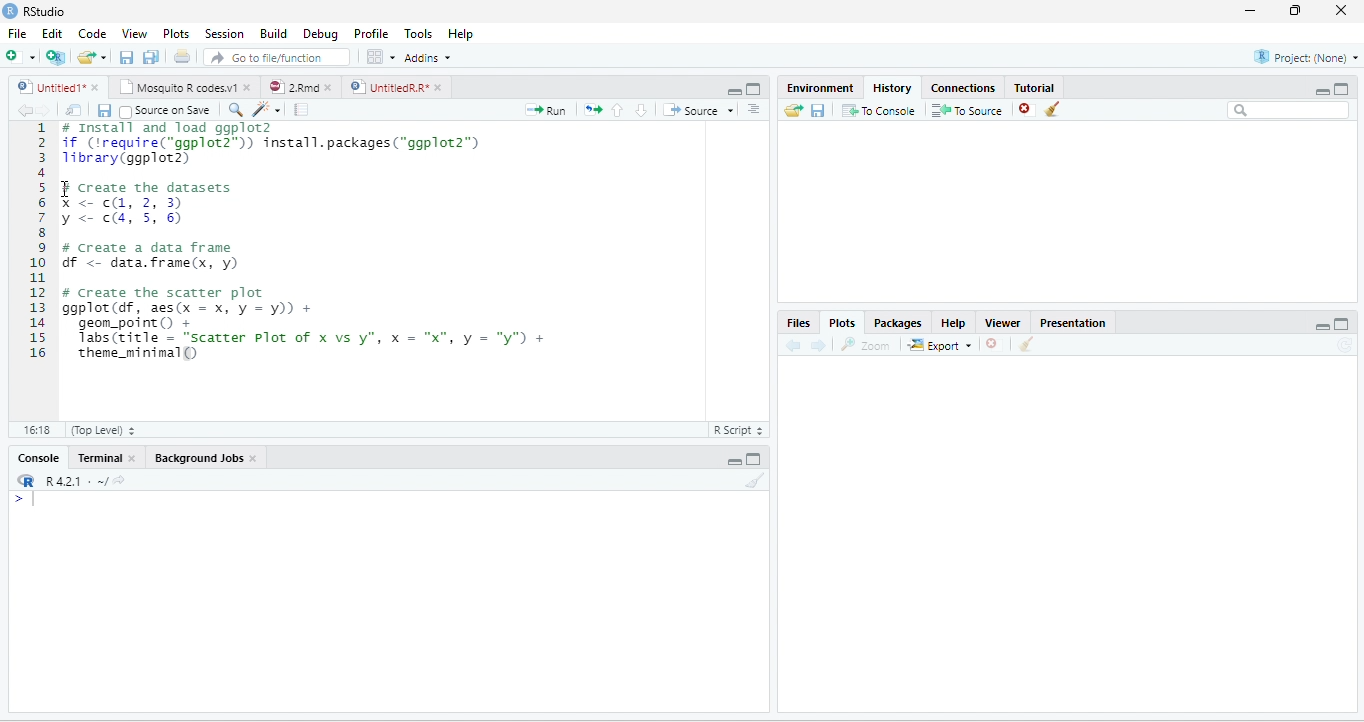 The height and width of the screenshot is (722, 1364). What do you see at coordinates (254, 459) in the screenshot?
I see `close` at bounding box center [254, 459].